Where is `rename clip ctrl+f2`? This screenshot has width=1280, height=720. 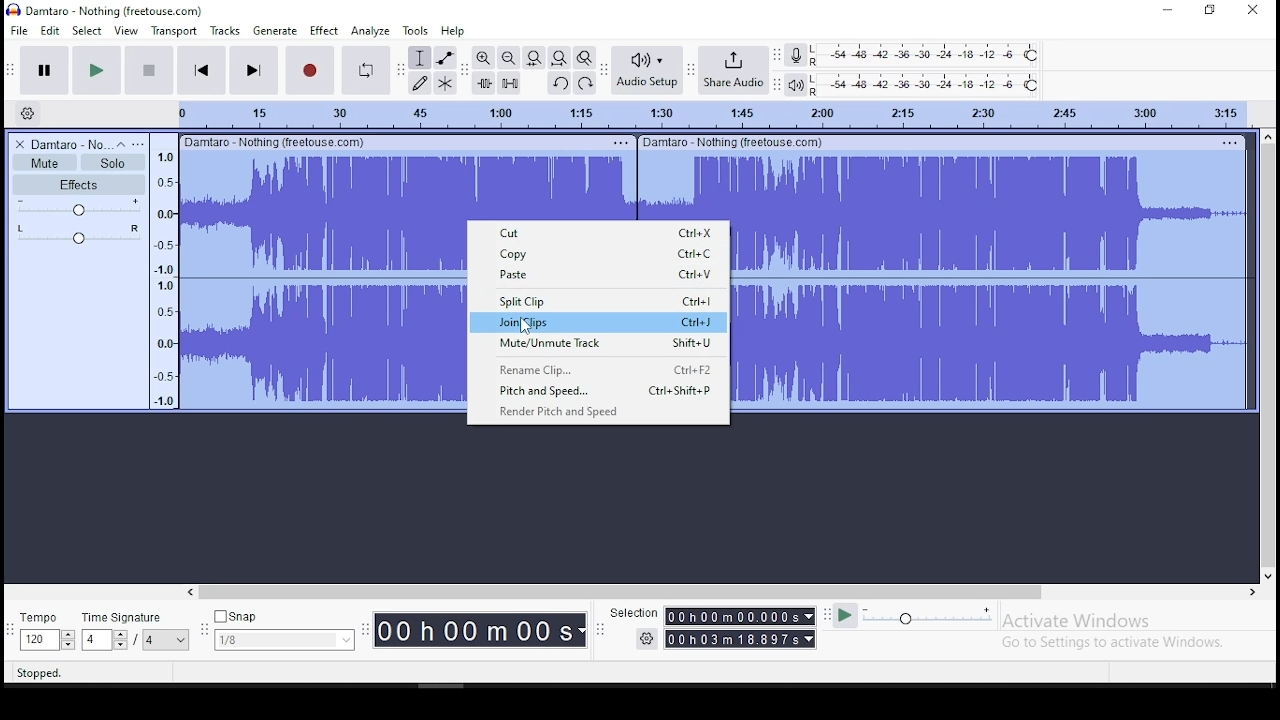 rename clip ctrl+f2 is located at coordinates (599, 371).